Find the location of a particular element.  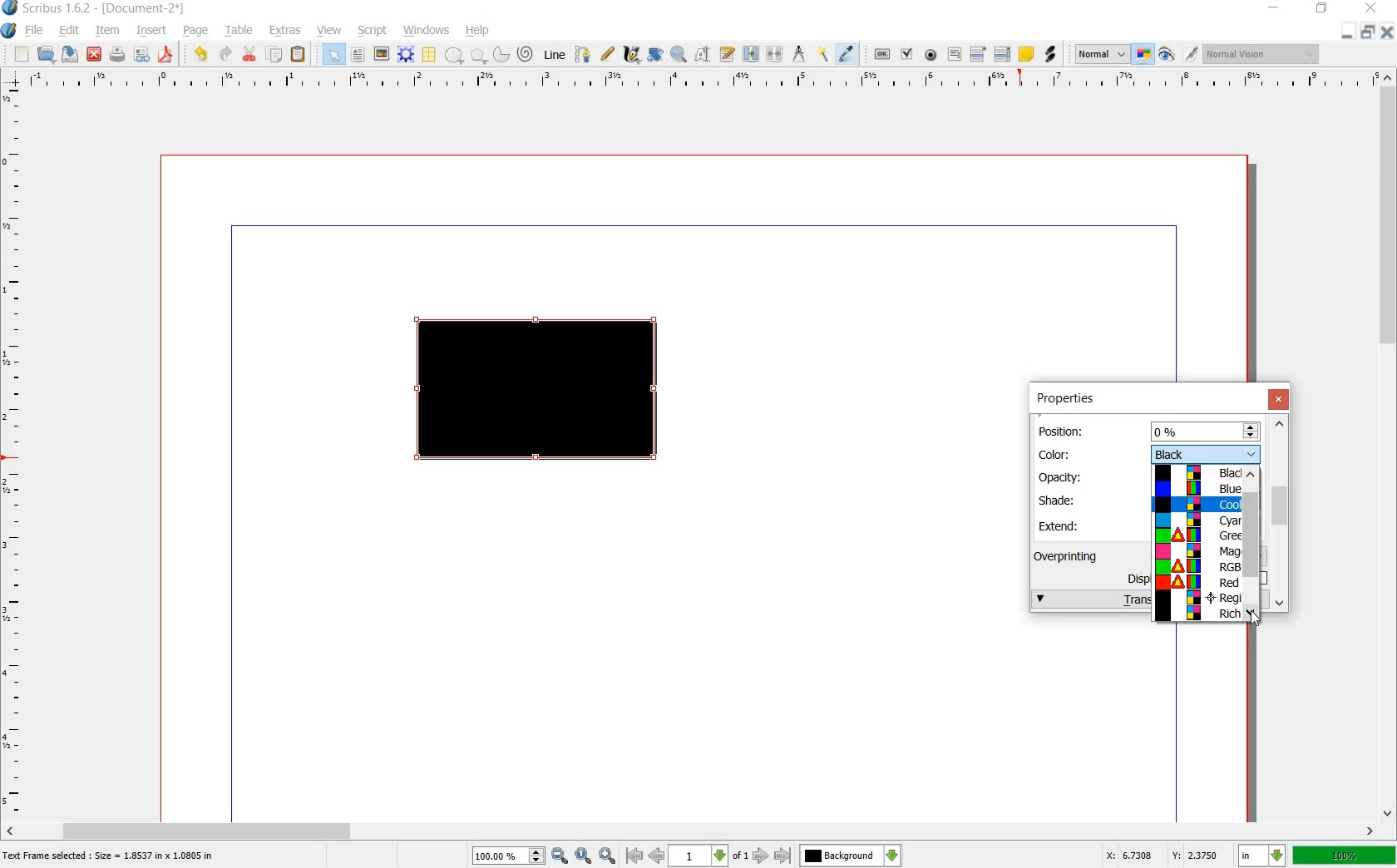

save as pdf is located at coordinates (165, 55).